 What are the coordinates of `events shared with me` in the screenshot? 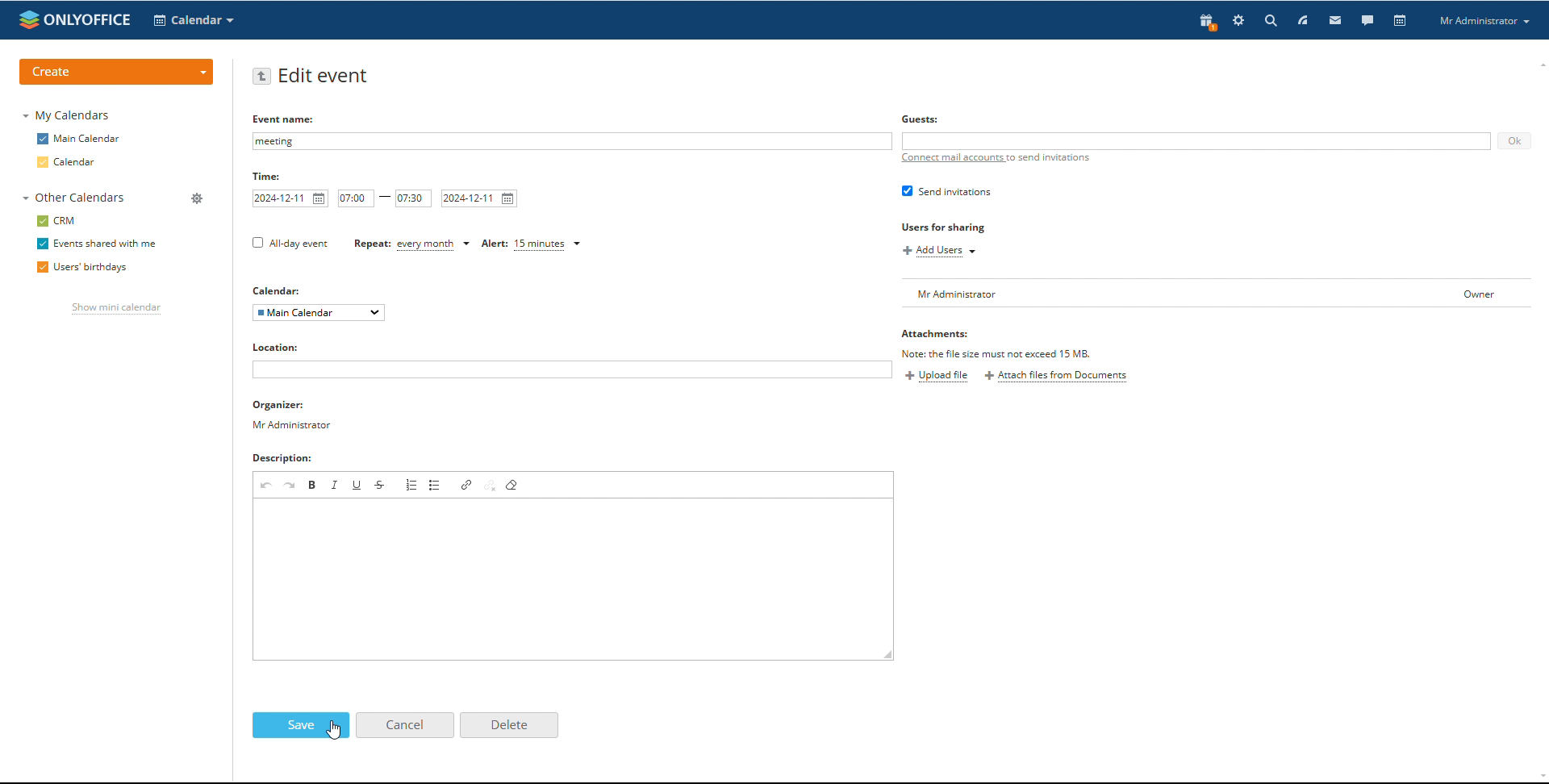 It's located at (97, 244).